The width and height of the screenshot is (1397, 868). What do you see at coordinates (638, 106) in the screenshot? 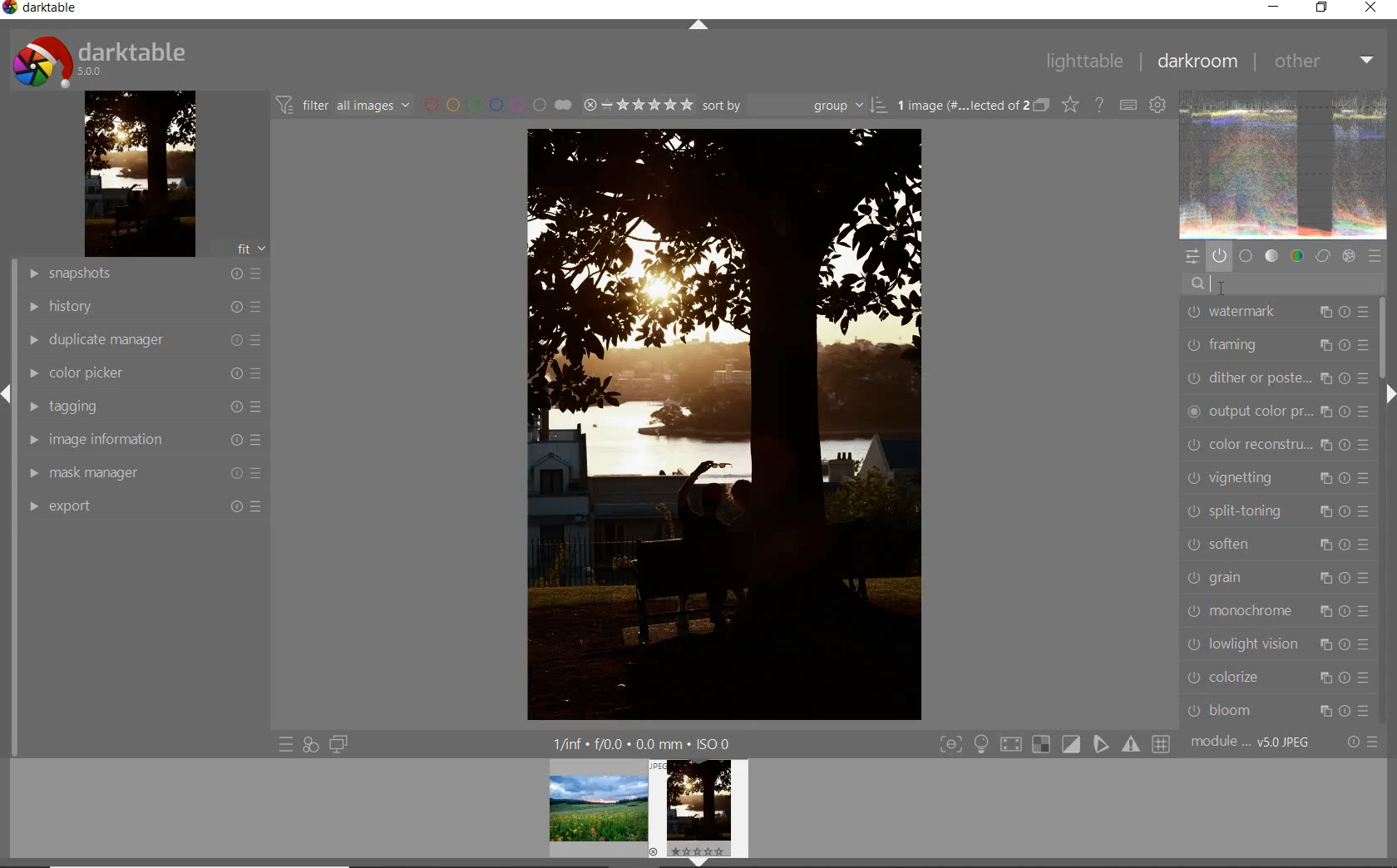
I see `selected Image range rating` at bounding box center [638, 106].